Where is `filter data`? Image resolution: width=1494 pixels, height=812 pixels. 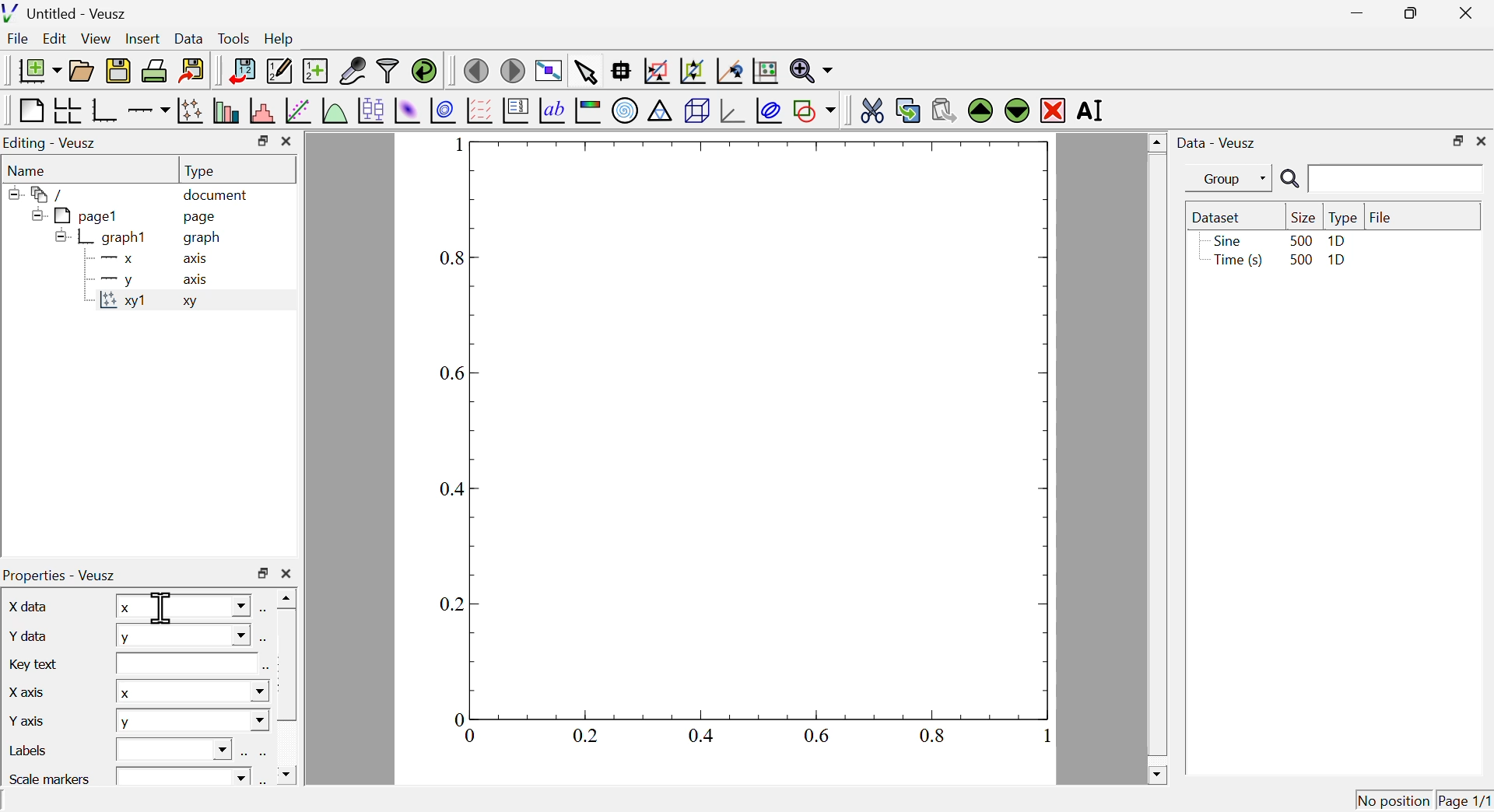 filter data is located at coordinates (388, 72).